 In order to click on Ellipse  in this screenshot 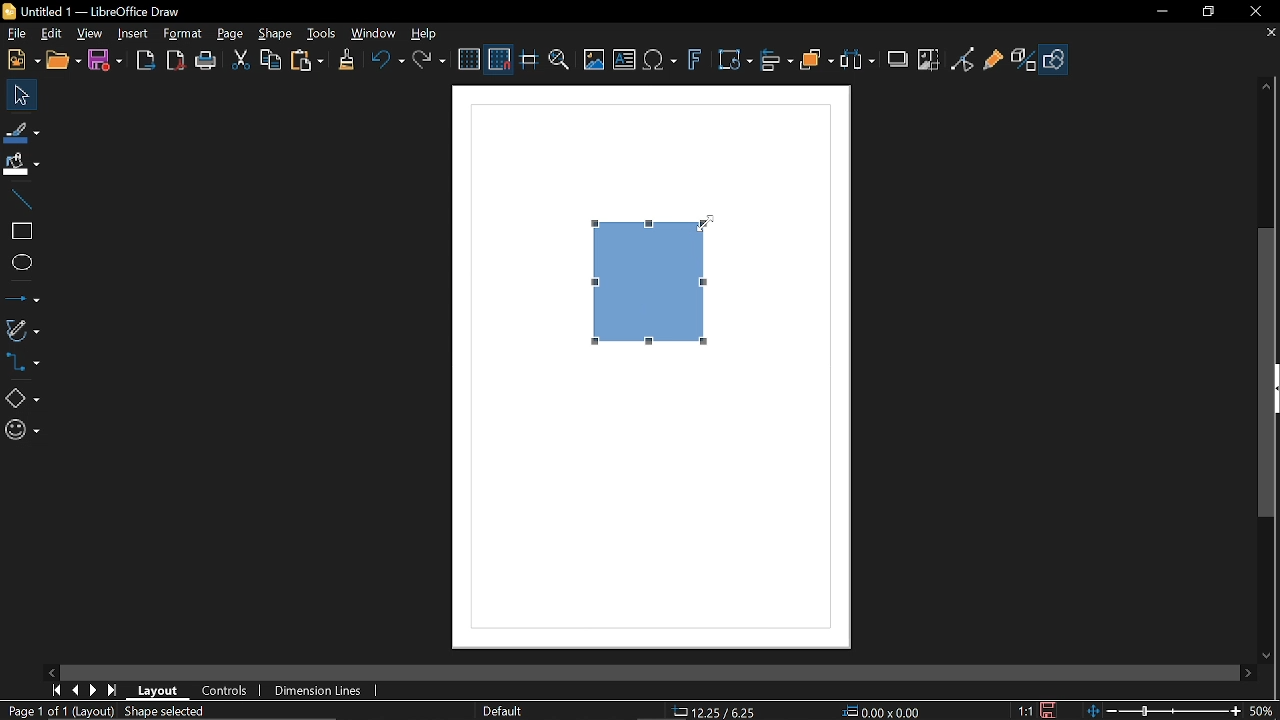, I will do `click(20, 263)`.